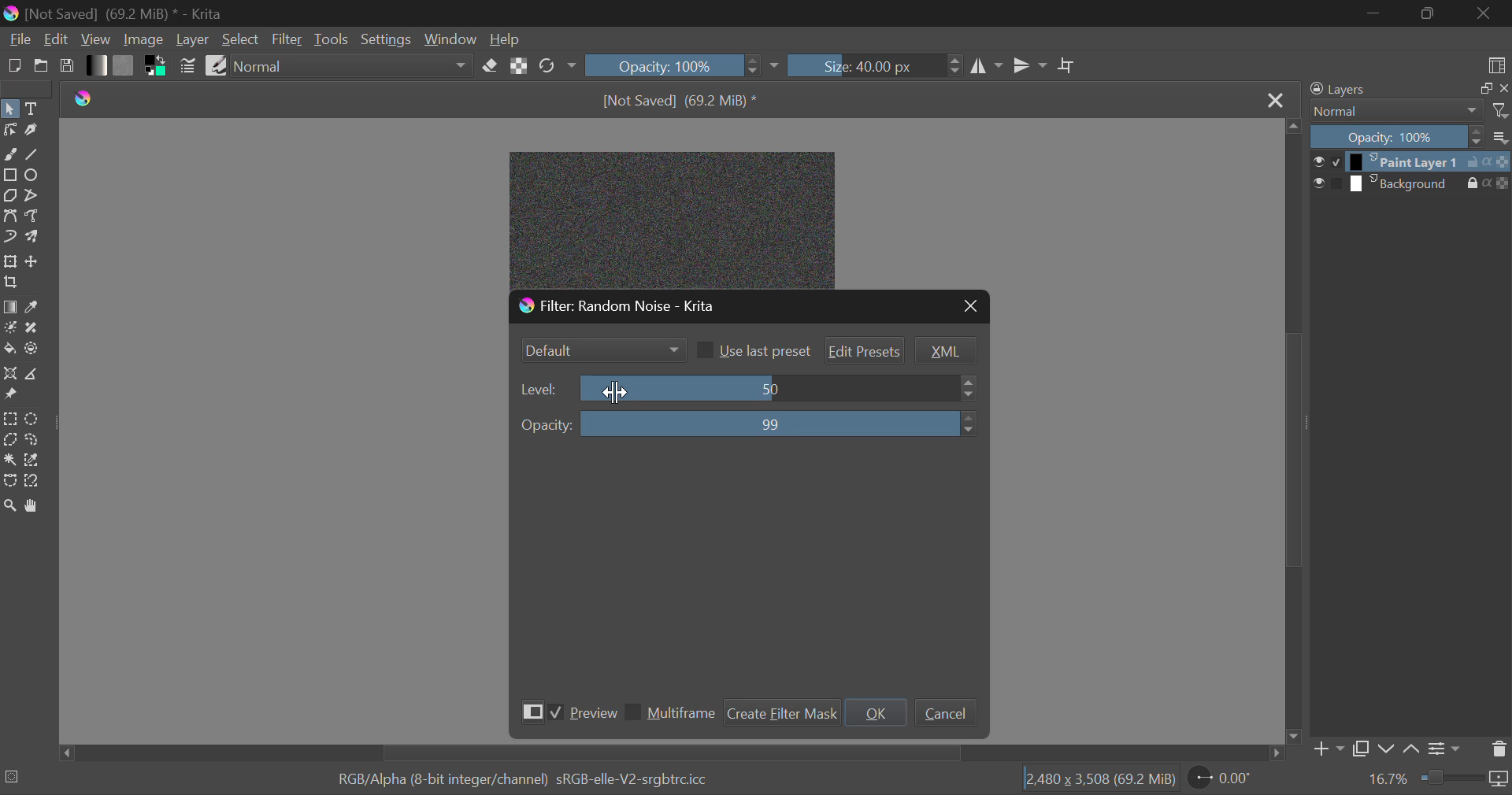 The width and height of the screenshot is (1512, 795). What do you see at coordinates (11, 505) in the screenshot?
I see `Zoom` at bounding box center [11, 505].